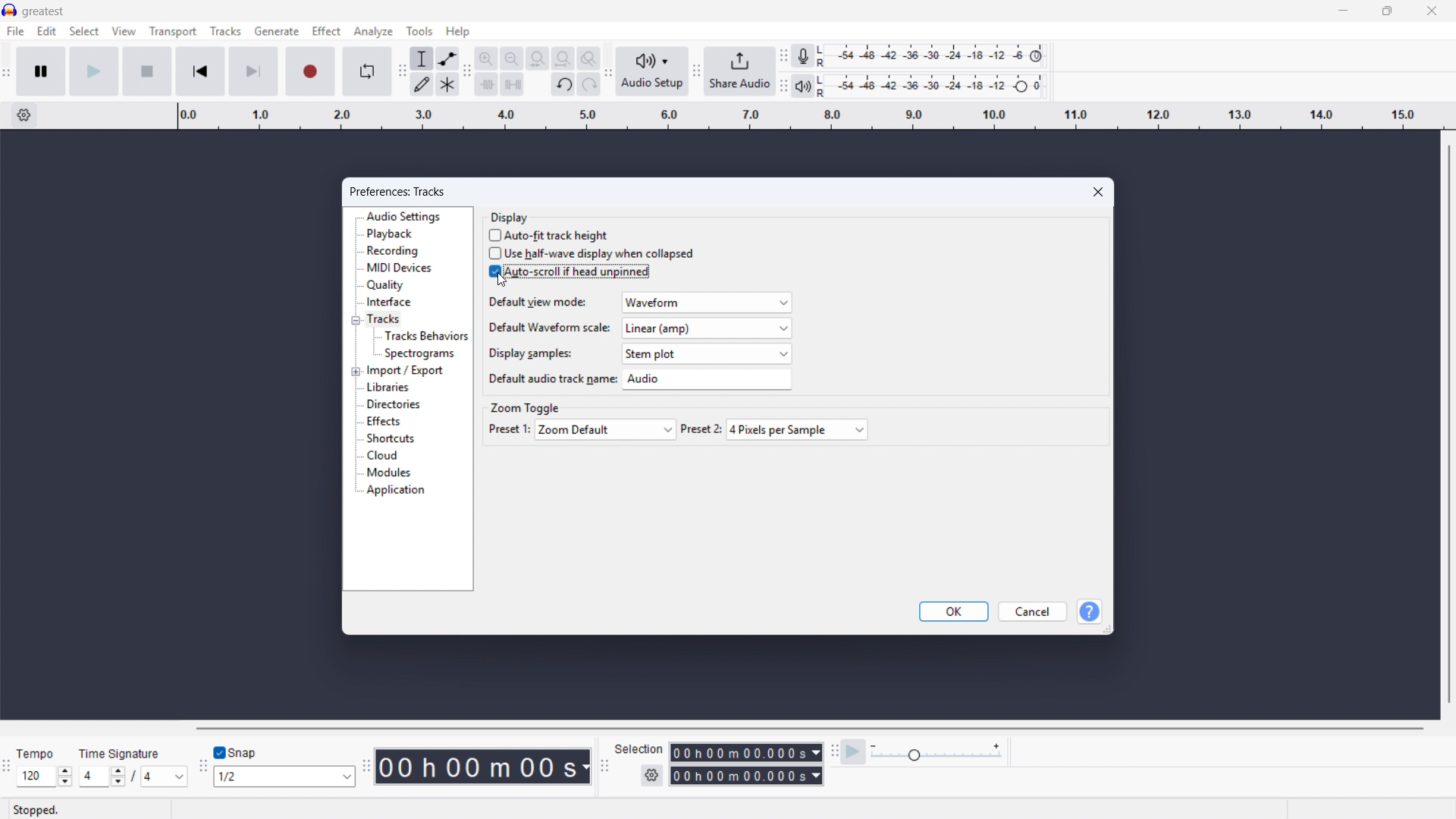 This screenshot has height=819, width=1456. Describe the element at coordinates (512, 58) in the screenshot. I see `Zoom out ` at that location.